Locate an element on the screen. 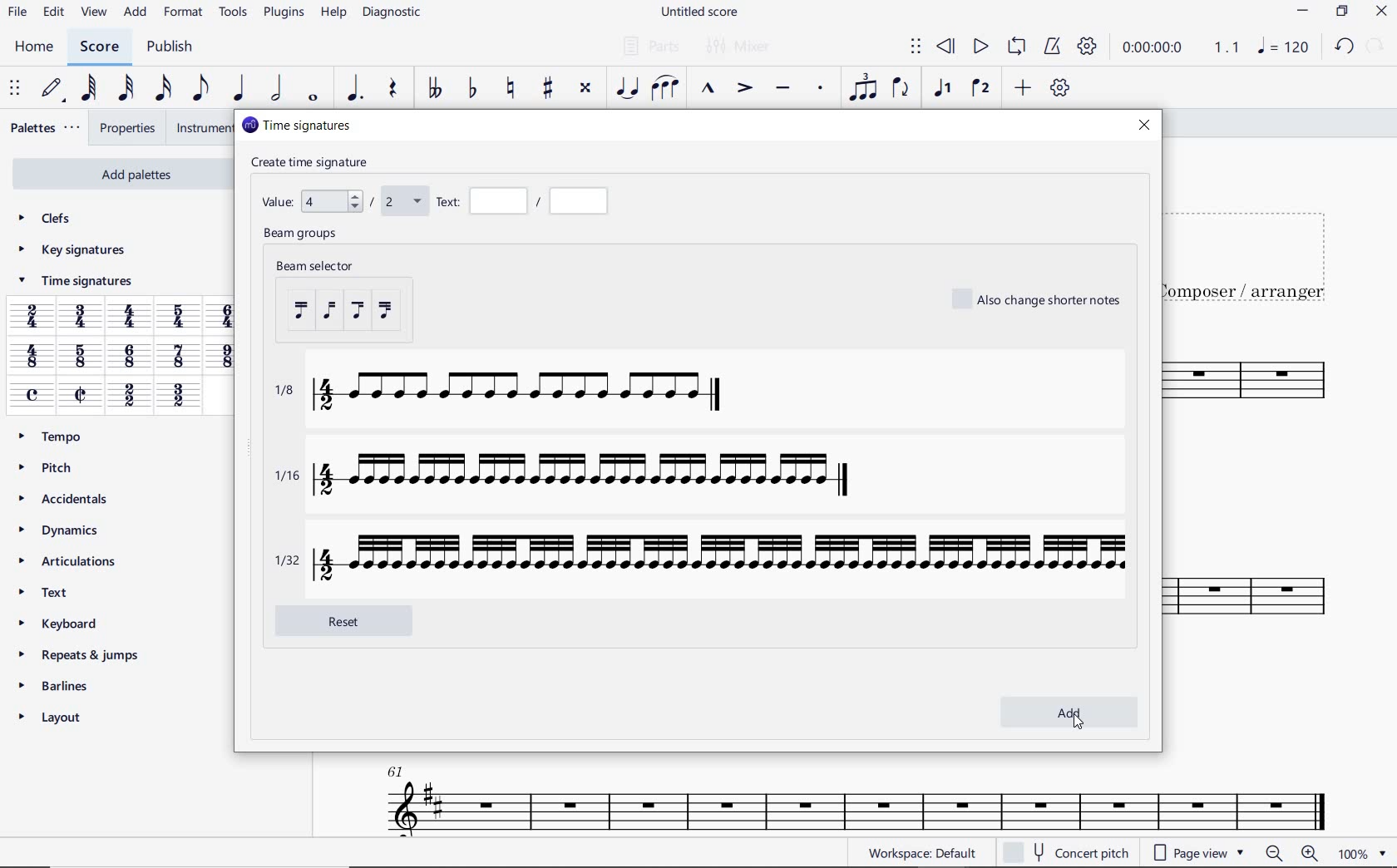  cursor is located at coordinates (1078, 724).